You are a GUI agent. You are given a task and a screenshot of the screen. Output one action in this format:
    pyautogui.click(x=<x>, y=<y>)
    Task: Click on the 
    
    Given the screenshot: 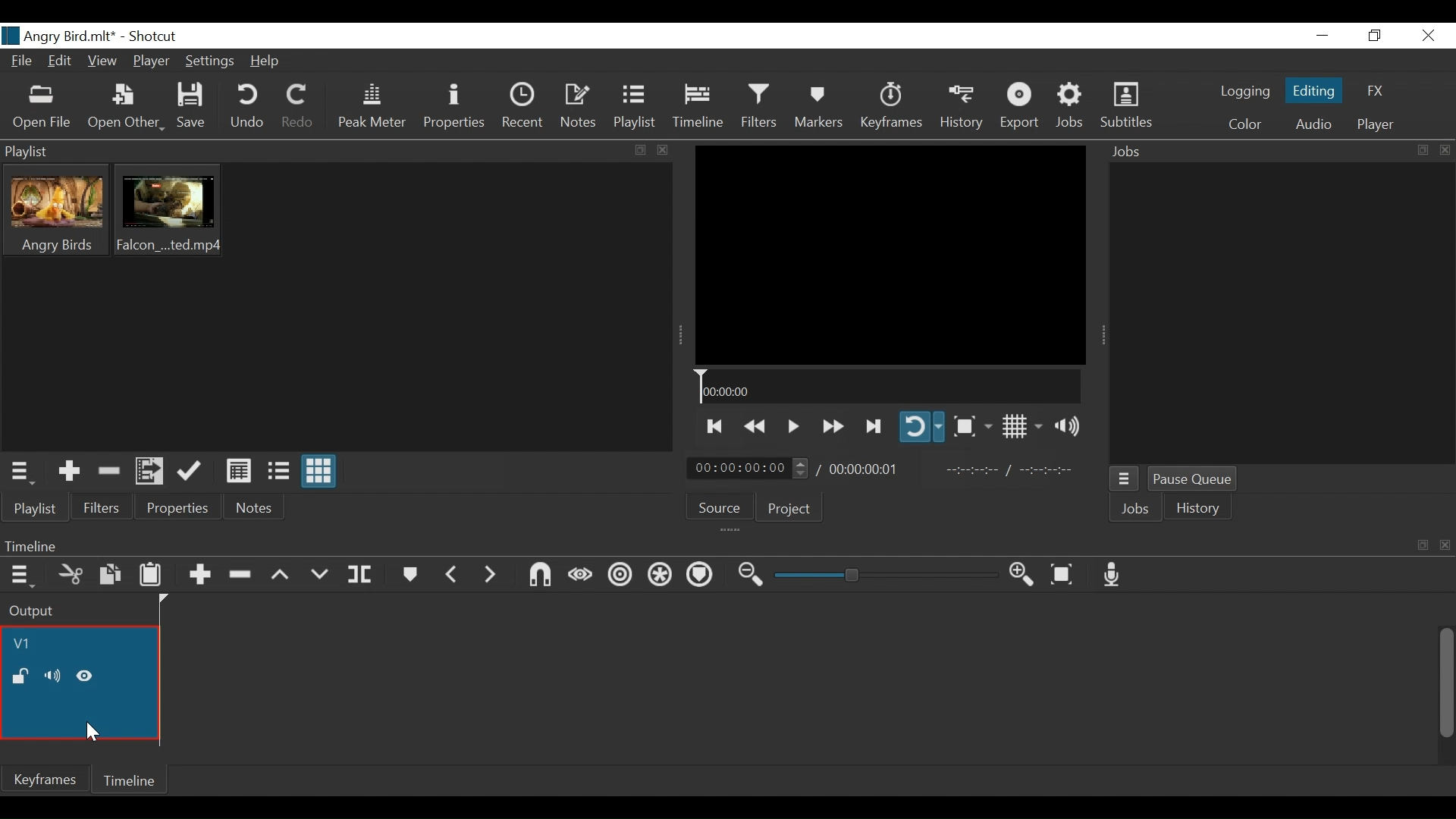 What is the action you would take?
    pyautogui.click(x=1373, y=125)
    